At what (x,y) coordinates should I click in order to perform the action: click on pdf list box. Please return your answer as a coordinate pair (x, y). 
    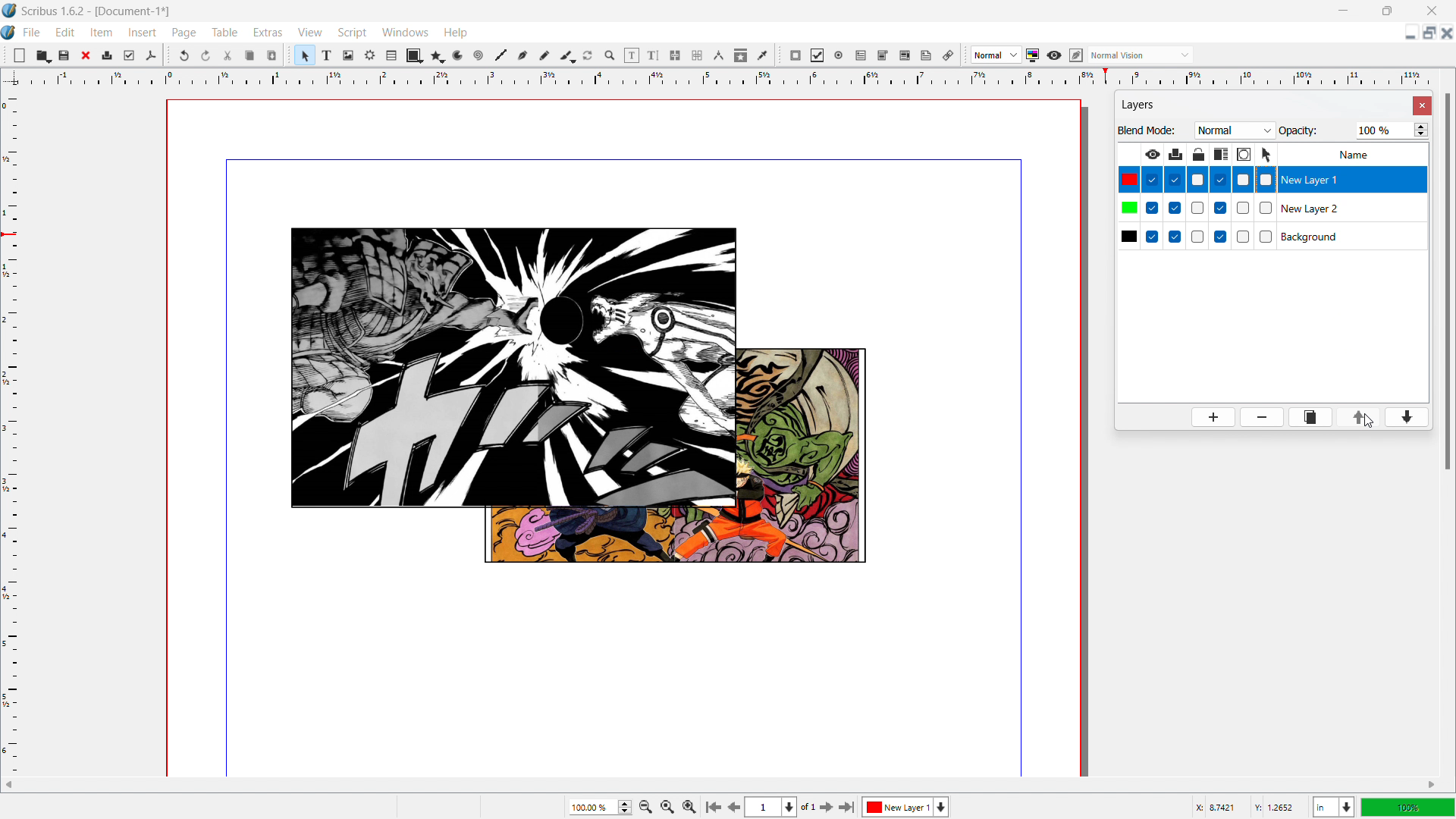
    Looking at the image, I should click on (905, 55).